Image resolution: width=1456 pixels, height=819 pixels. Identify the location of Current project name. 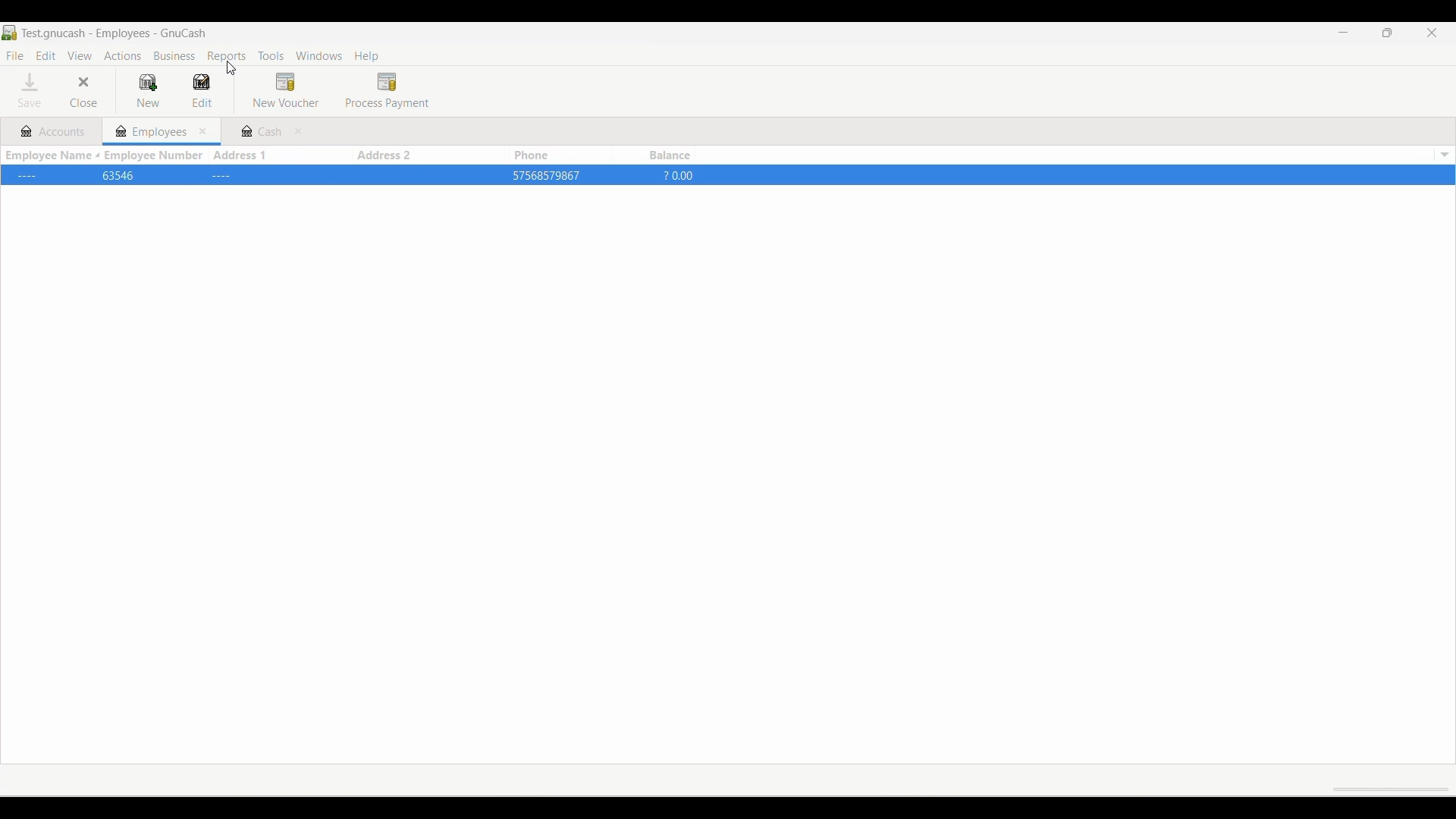
(115, 33).